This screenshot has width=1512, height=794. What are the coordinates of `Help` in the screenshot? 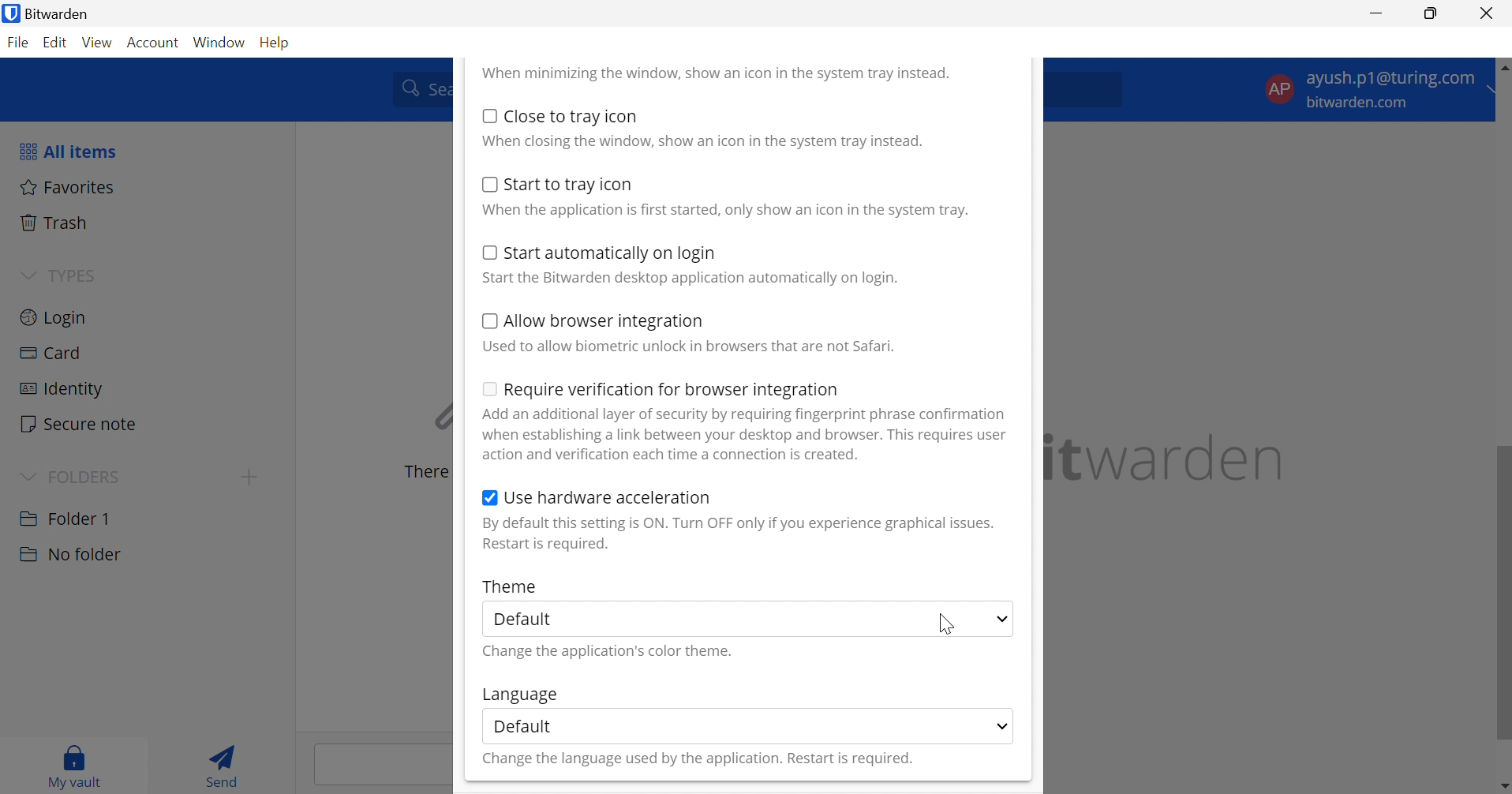 It's located at (278, 41).